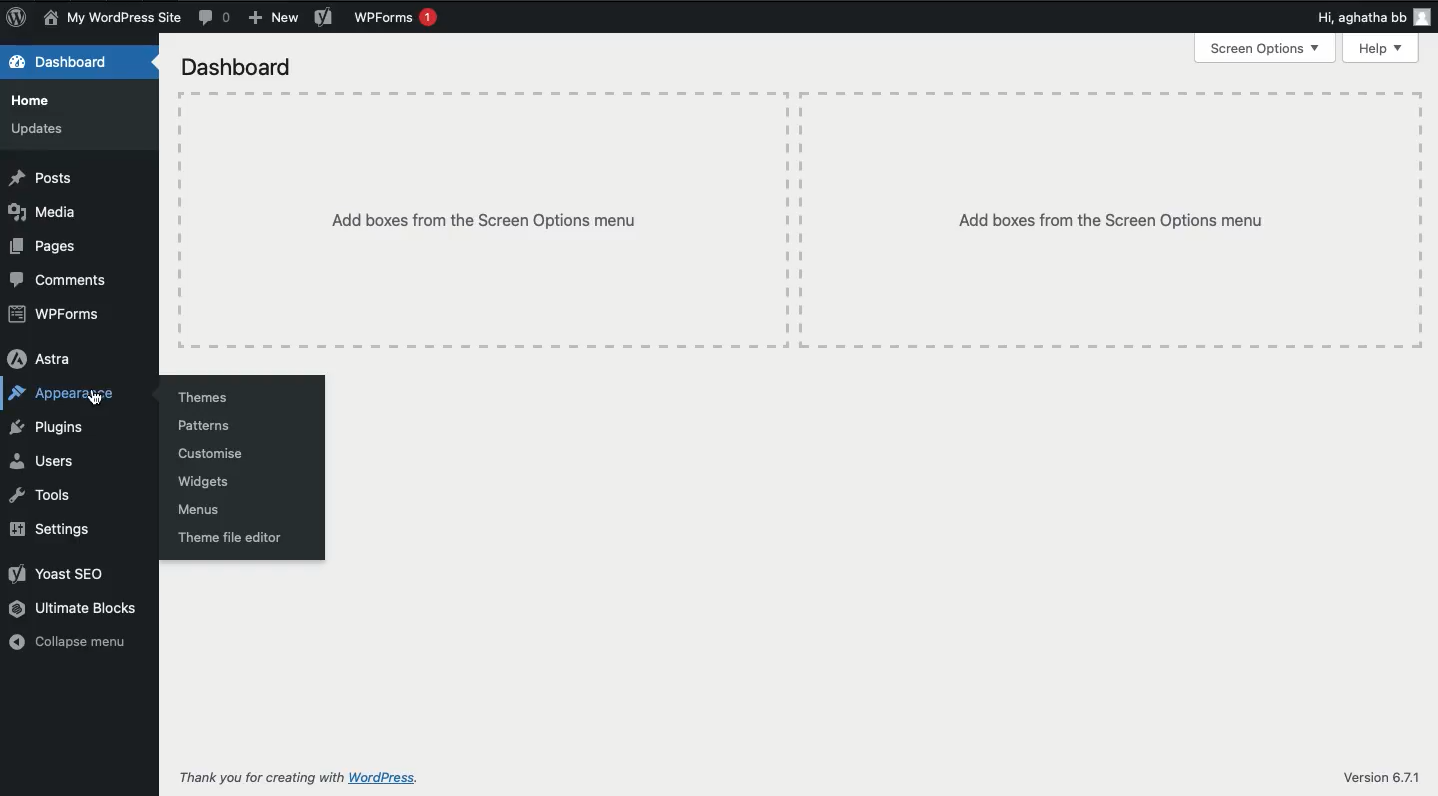 The height and width of the screenshot is (796, 1438). Describe the element at coordinates (48, 529) in the screenshot. I see `Settings` at that location.